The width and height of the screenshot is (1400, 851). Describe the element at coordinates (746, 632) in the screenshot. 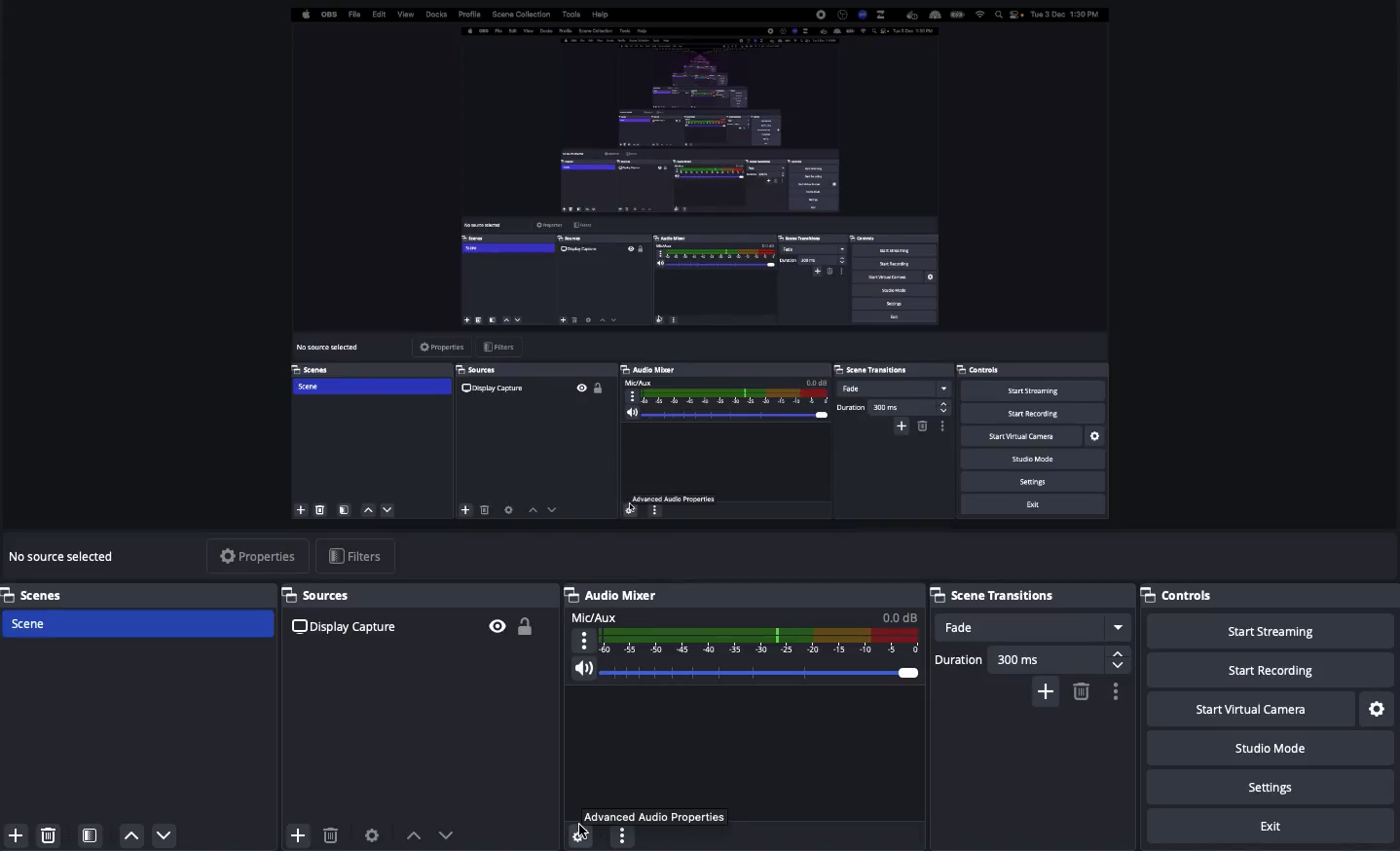

I see `Mic/aux` at that location.